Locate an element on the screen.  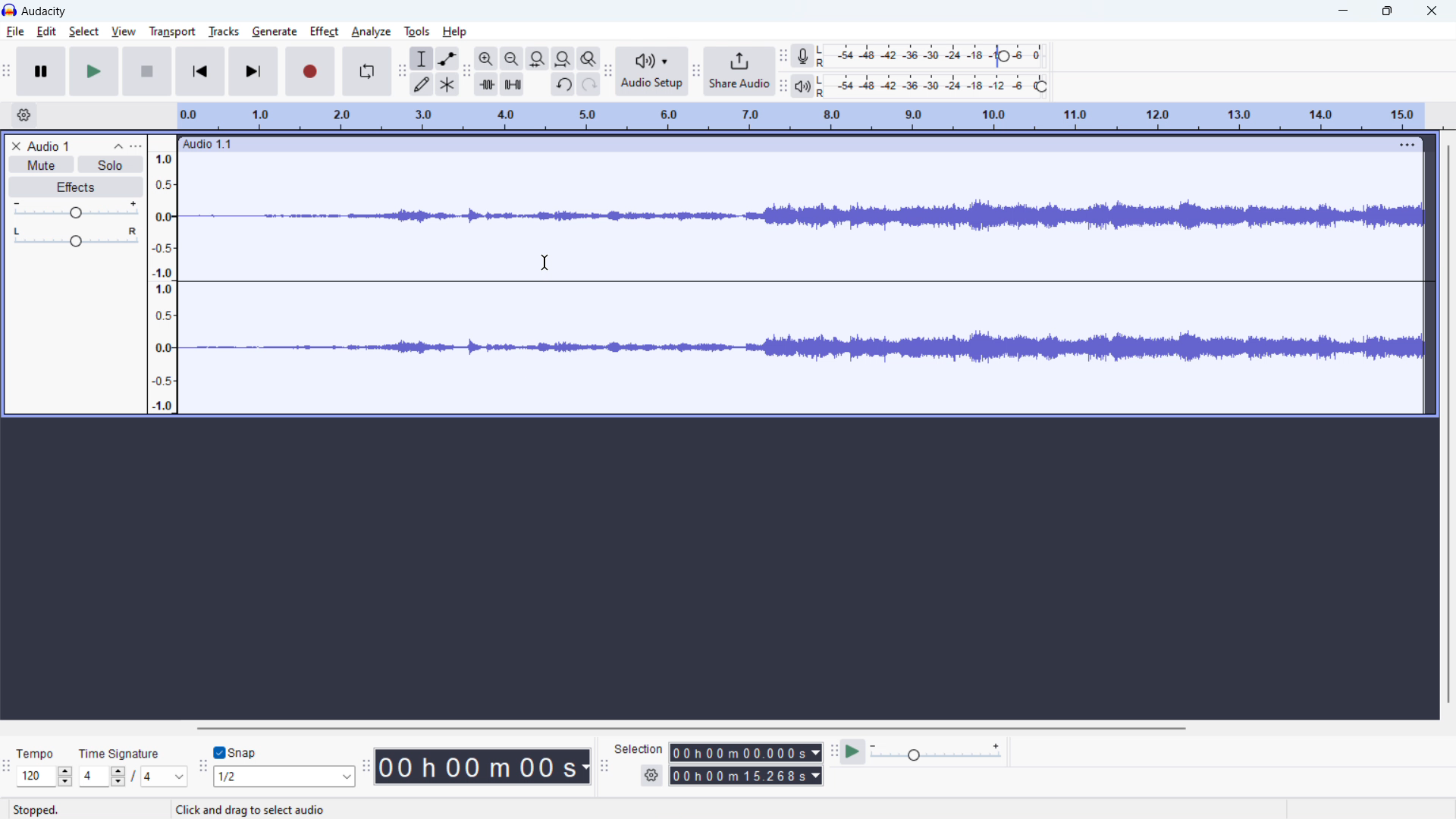
amplitude is located at coordinates (162, 275).